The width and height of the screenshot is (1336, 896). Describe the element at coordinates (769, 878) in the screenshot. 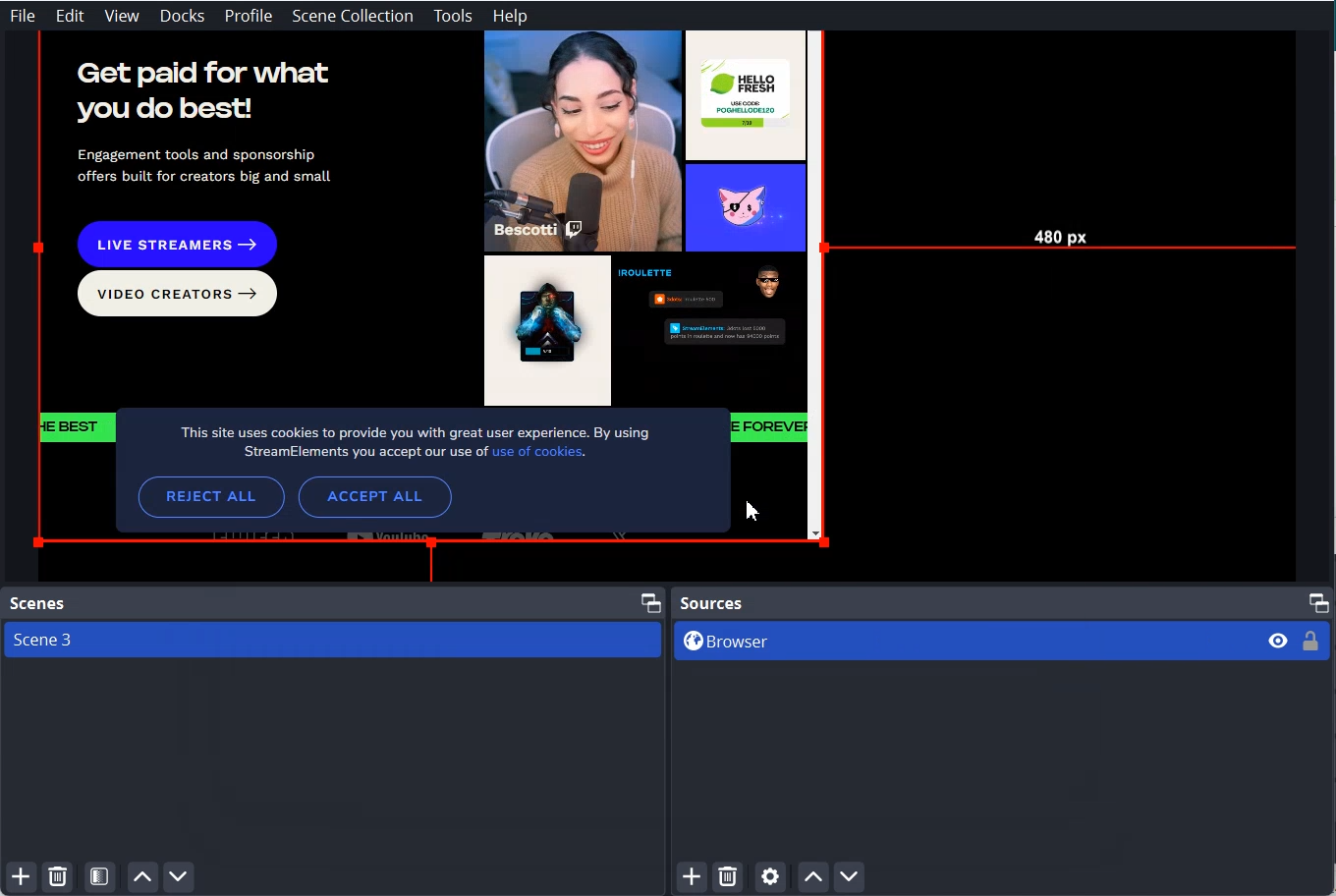

I see `Open Source Settings` at that location.